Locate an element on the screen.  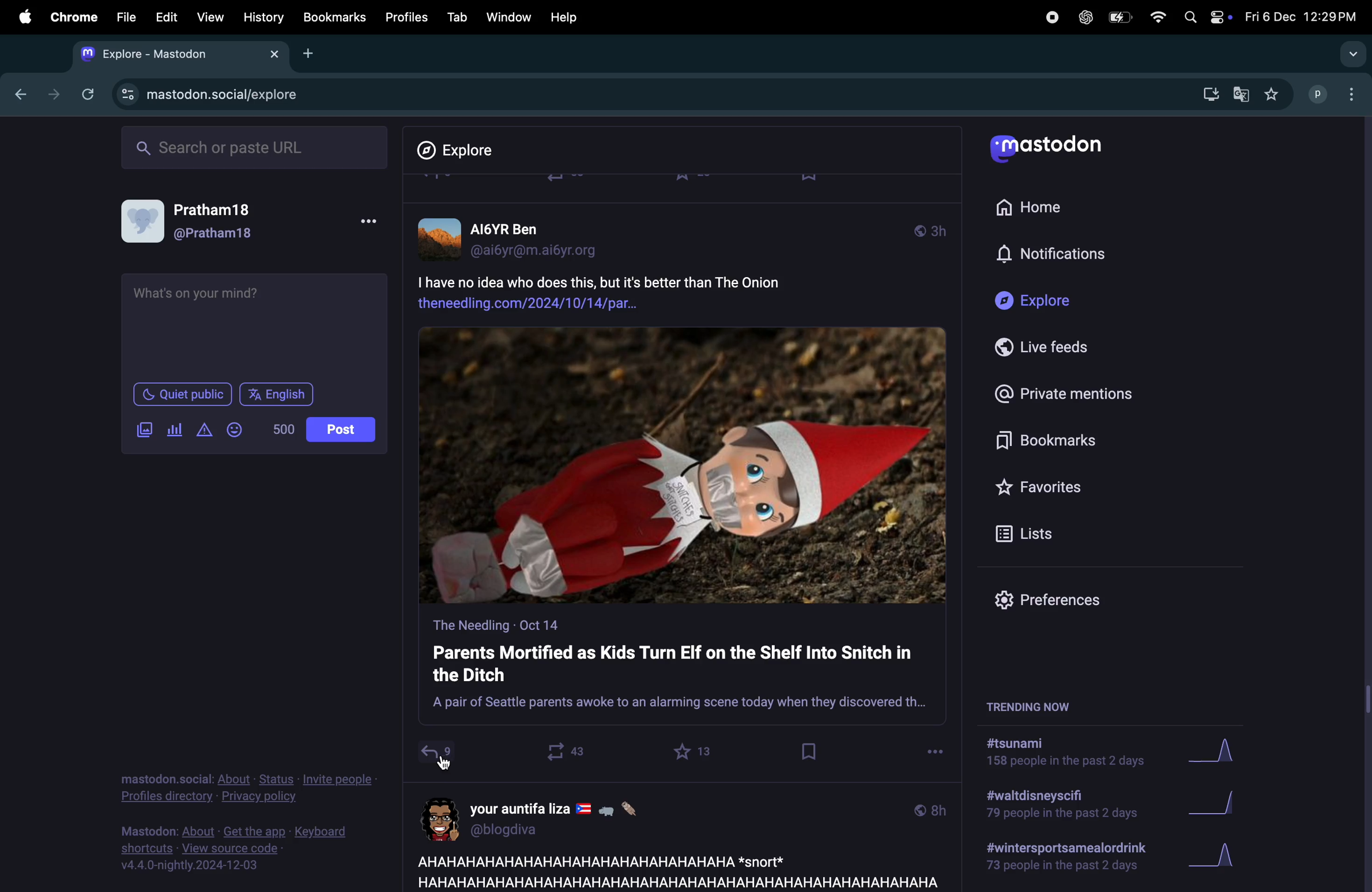
post is located at coordinates (673, 870).